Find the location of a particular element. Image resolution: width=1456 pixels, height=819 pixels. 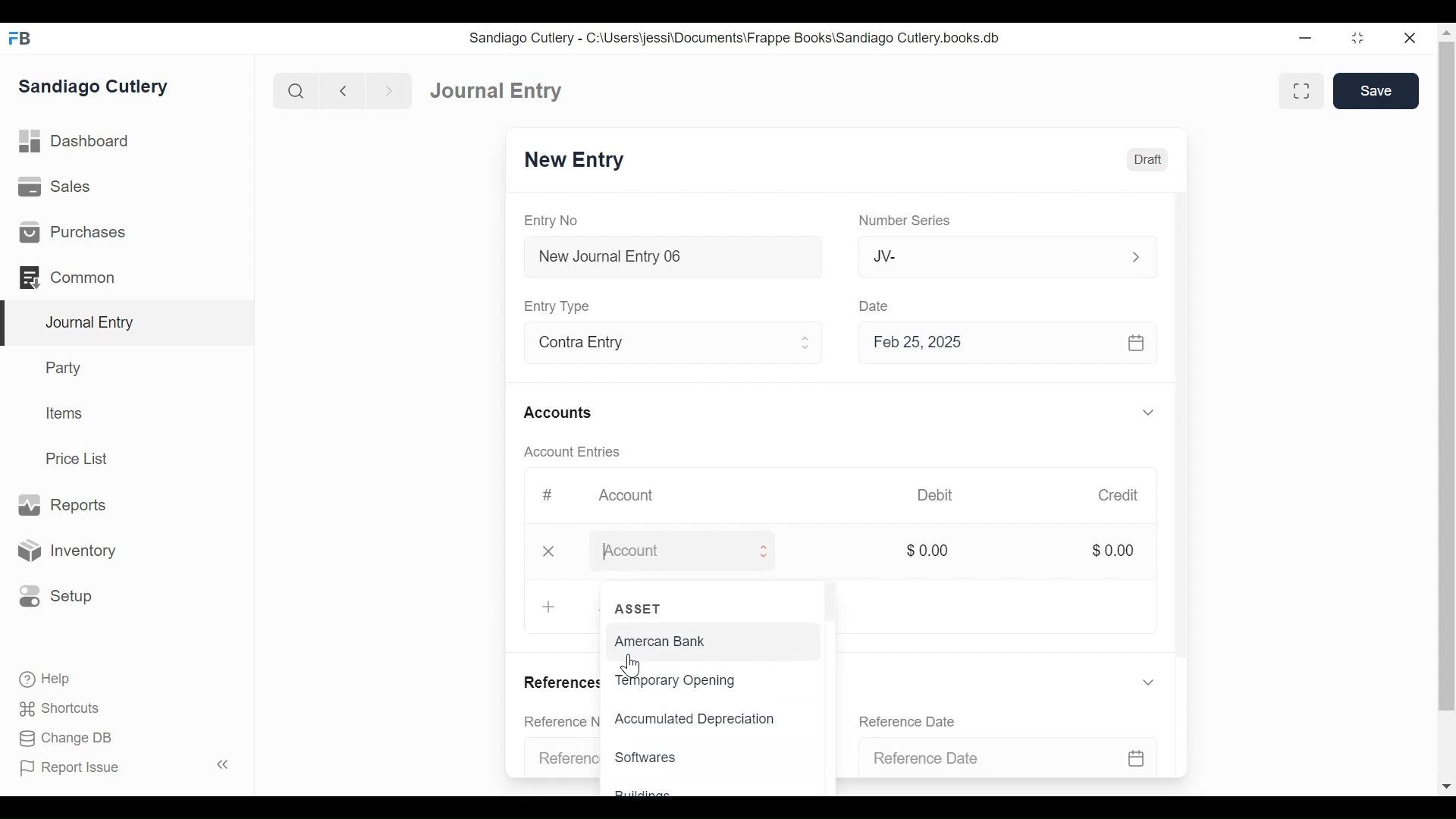

Expand is located at coordinates (1134, 257).